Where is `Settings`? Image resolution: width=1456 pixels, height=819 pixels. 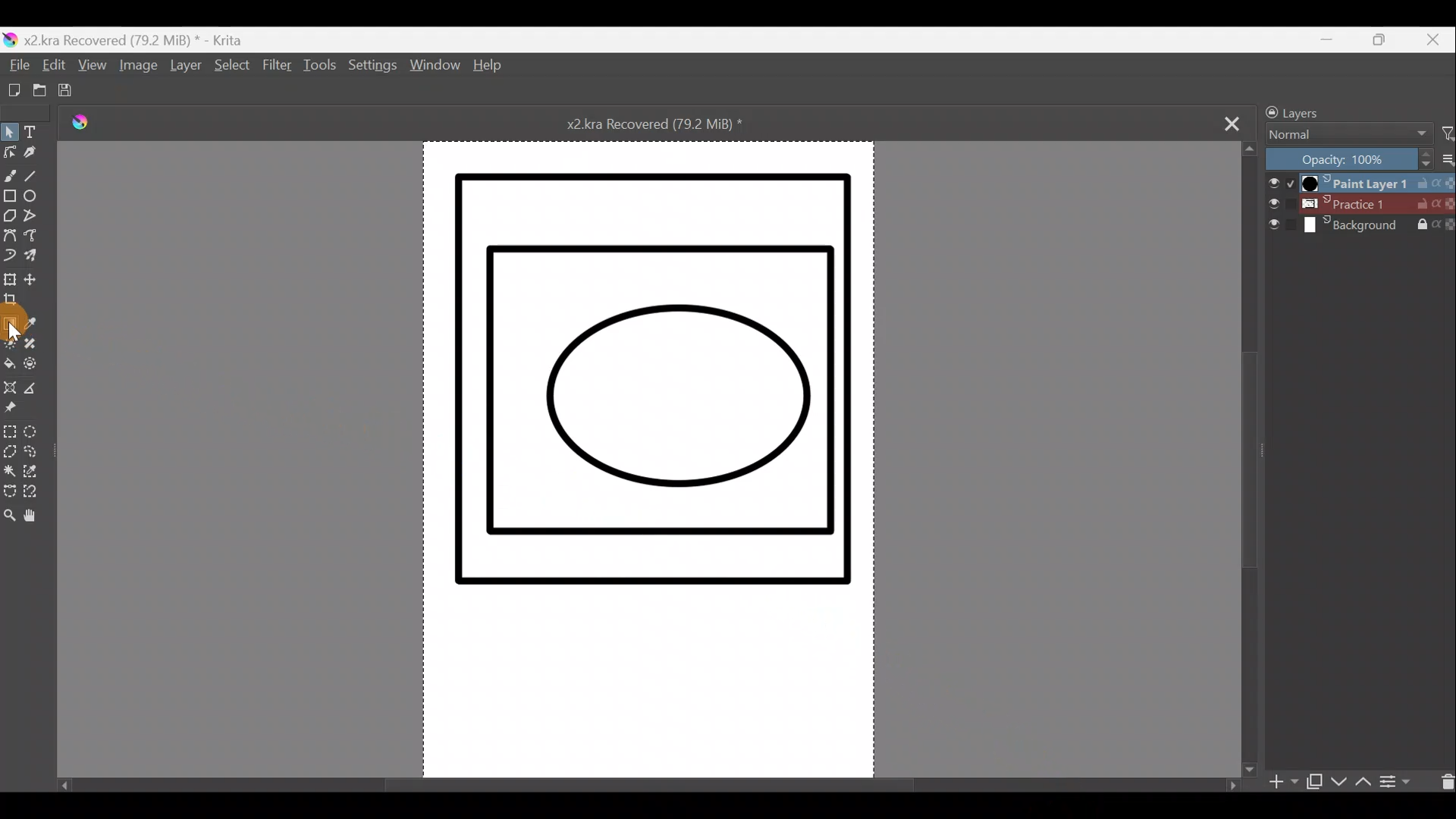 Settings is located at coordinates (374, 70).